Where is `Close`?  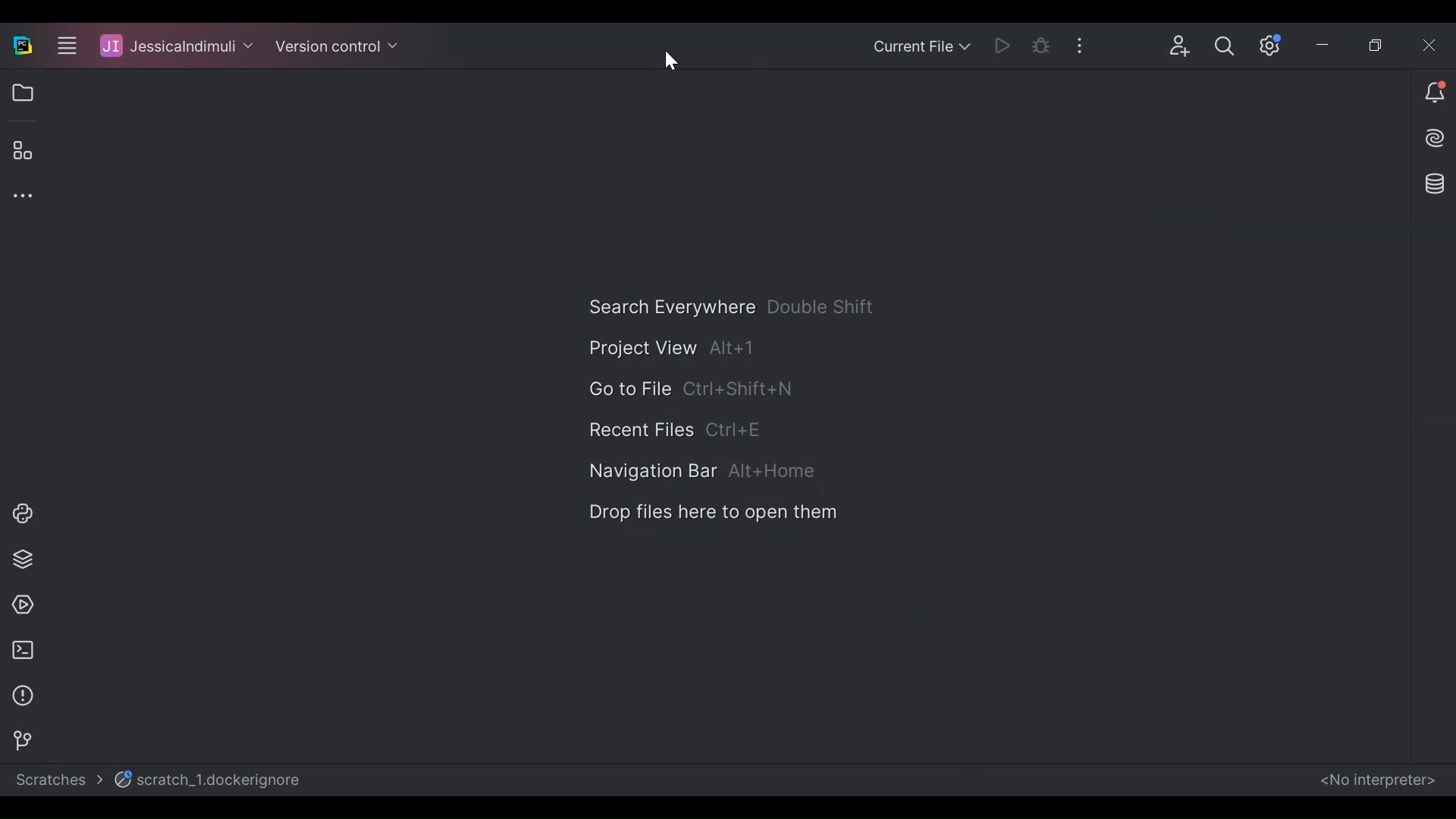 Close is located at coordinates (1430, 45).